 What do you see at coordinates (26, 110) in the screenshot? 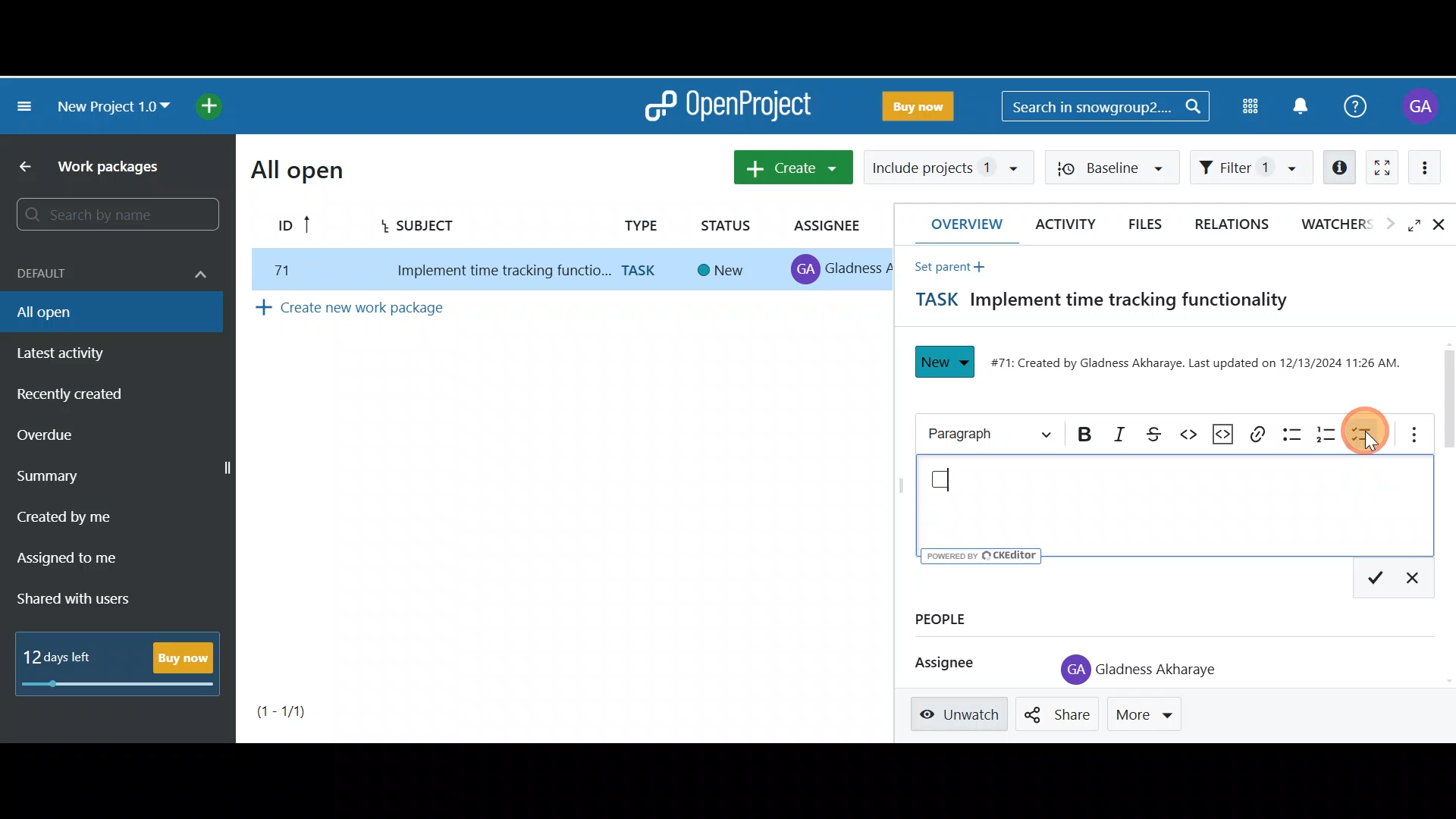
I see `Collapse project menu` at bounding box center [26, 110].